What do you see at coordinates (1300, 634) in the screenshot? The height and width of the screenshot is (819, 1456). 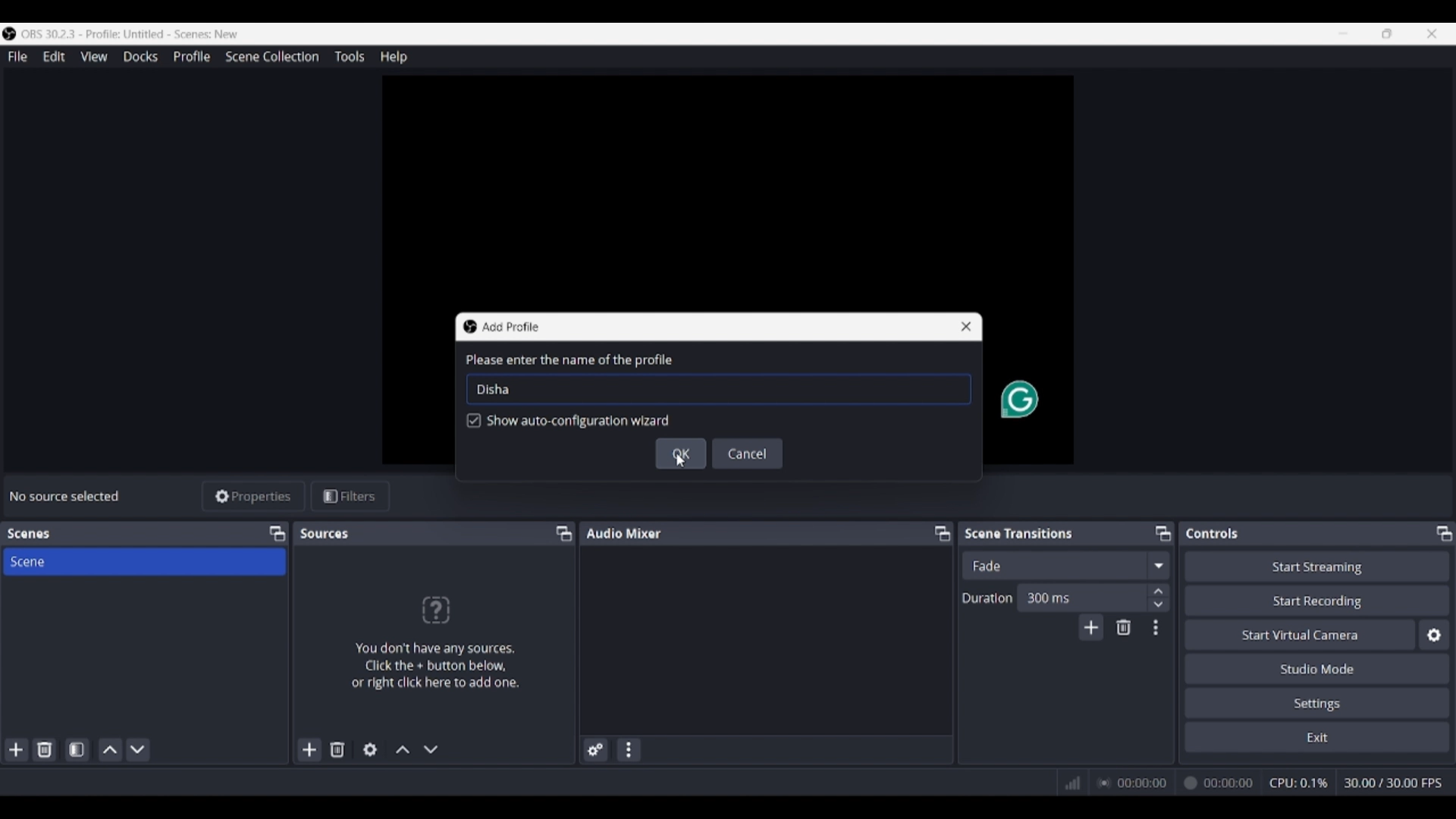 I see `Start virtual camera` at bounding box center [1300, 634].